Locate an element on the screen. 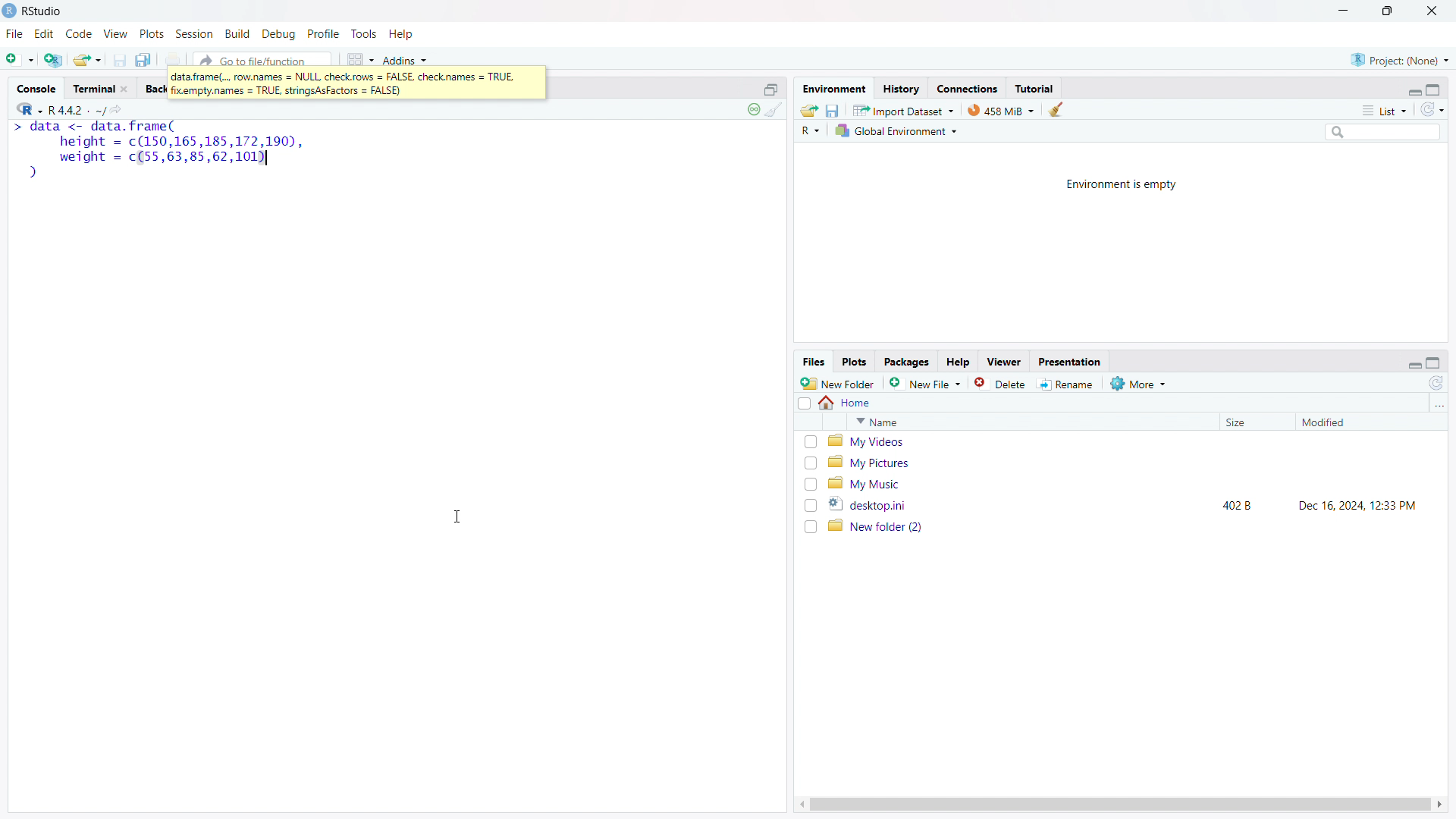 The height and width of the screenshot is (819, 1456). R 4.4.2 . ~/ is located at coordinates (77, 109).